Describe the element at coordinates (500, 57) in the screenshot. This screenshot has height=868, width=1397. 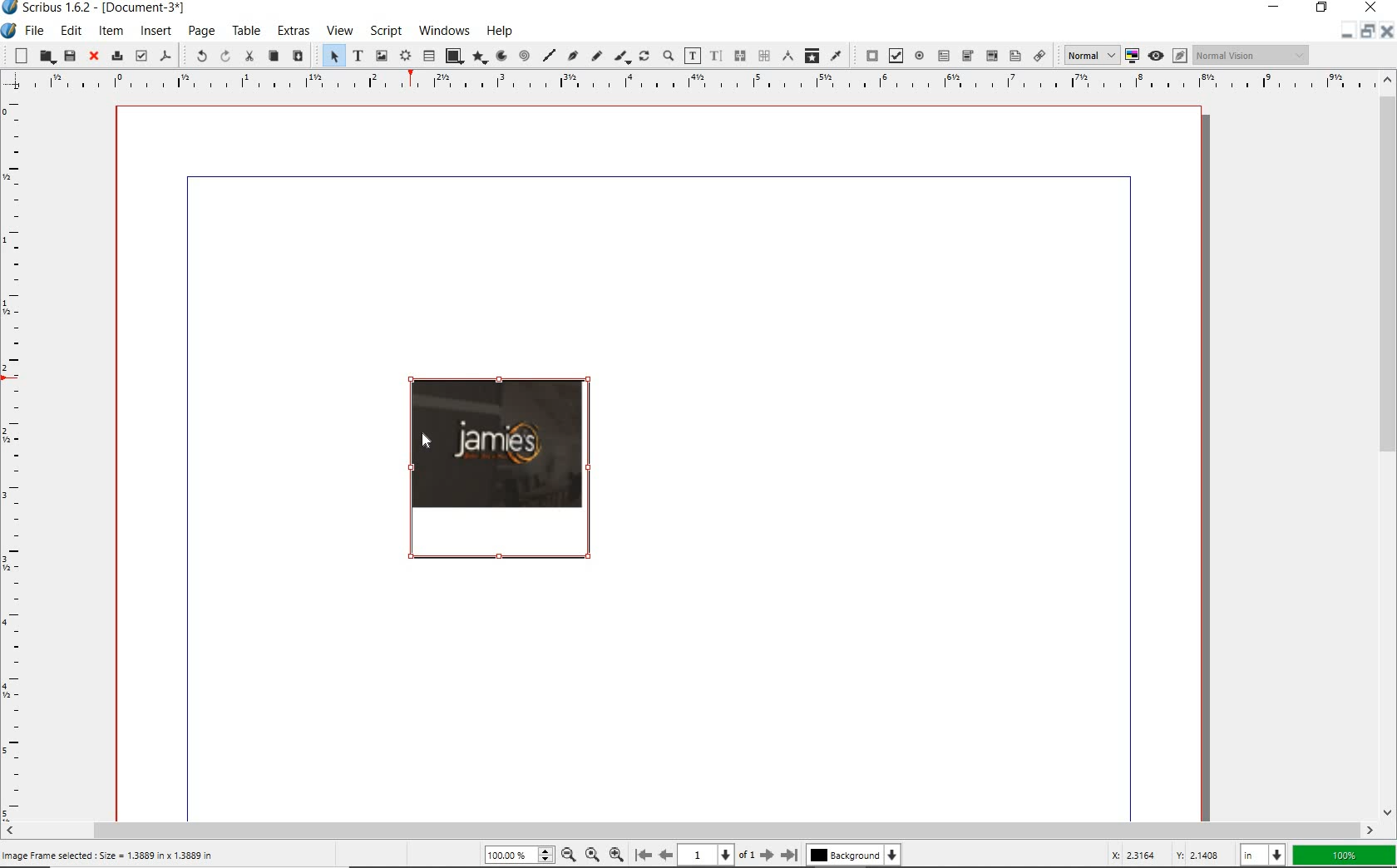
I see `arc` at that location.